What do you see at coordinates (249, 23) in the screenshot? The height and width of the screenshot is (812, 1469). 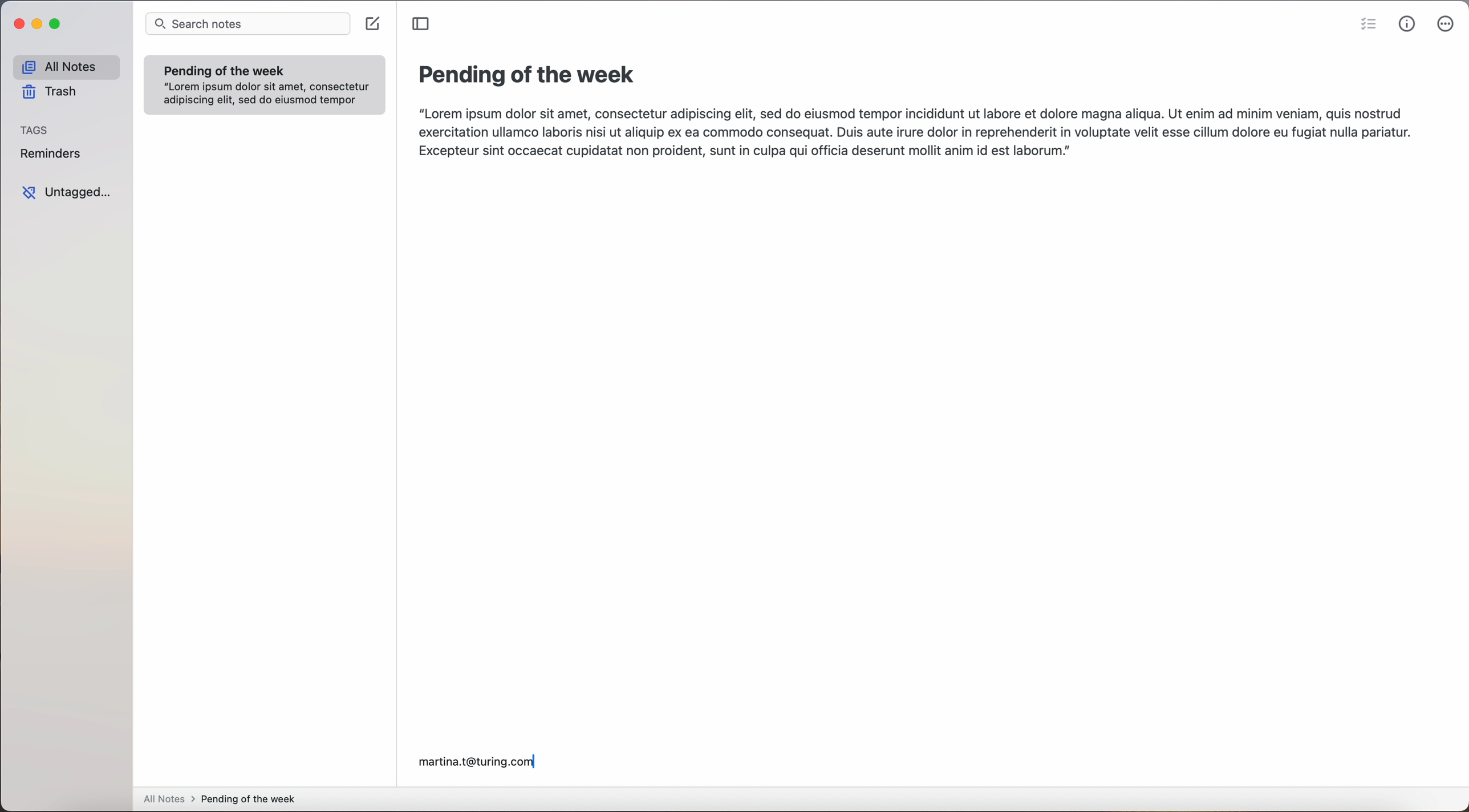 I see `search notes` at bounding box center [249, 23].